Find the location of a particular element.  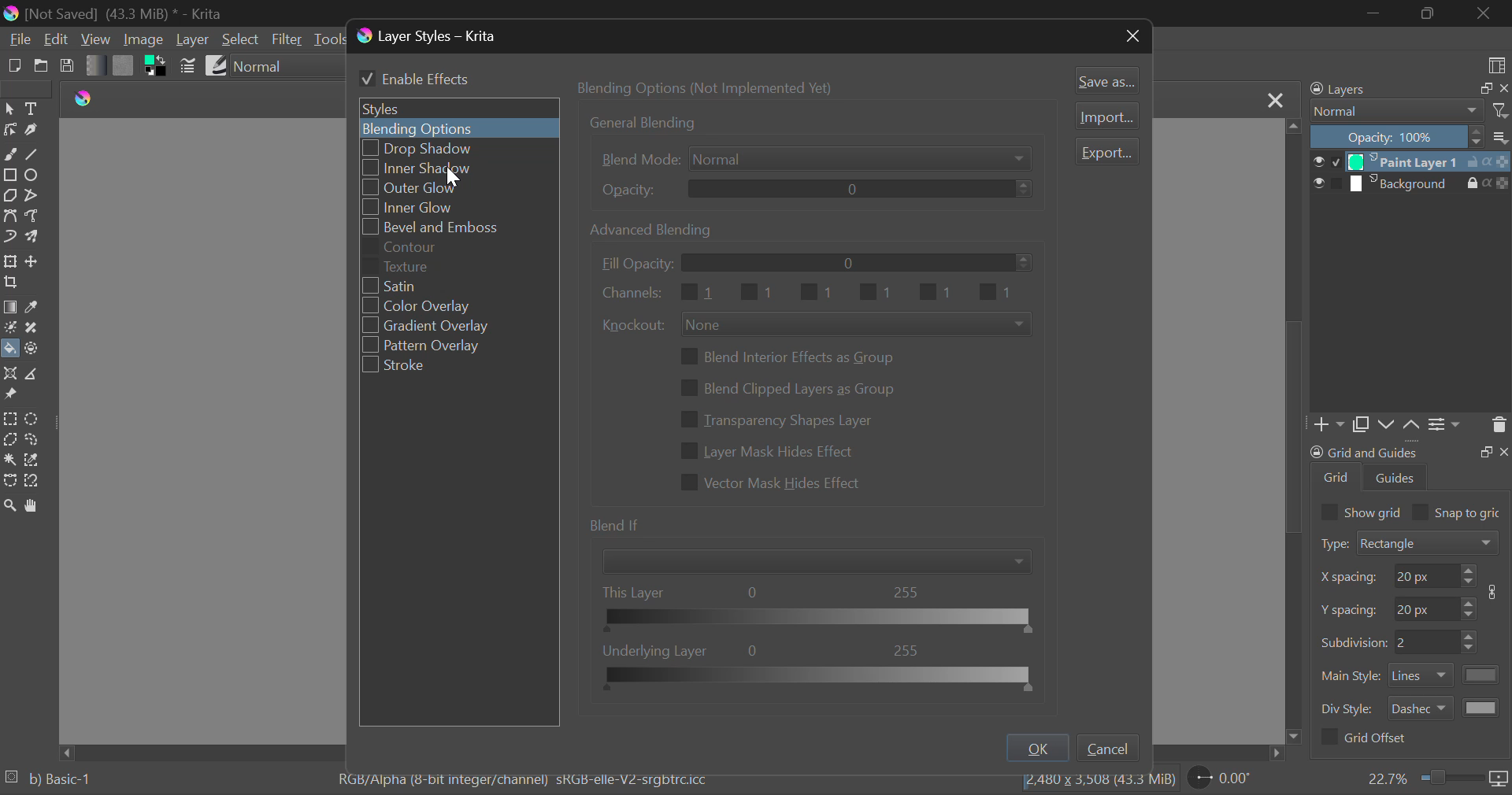

Grid Characteristic Input is located at coordinates (1413, 643).